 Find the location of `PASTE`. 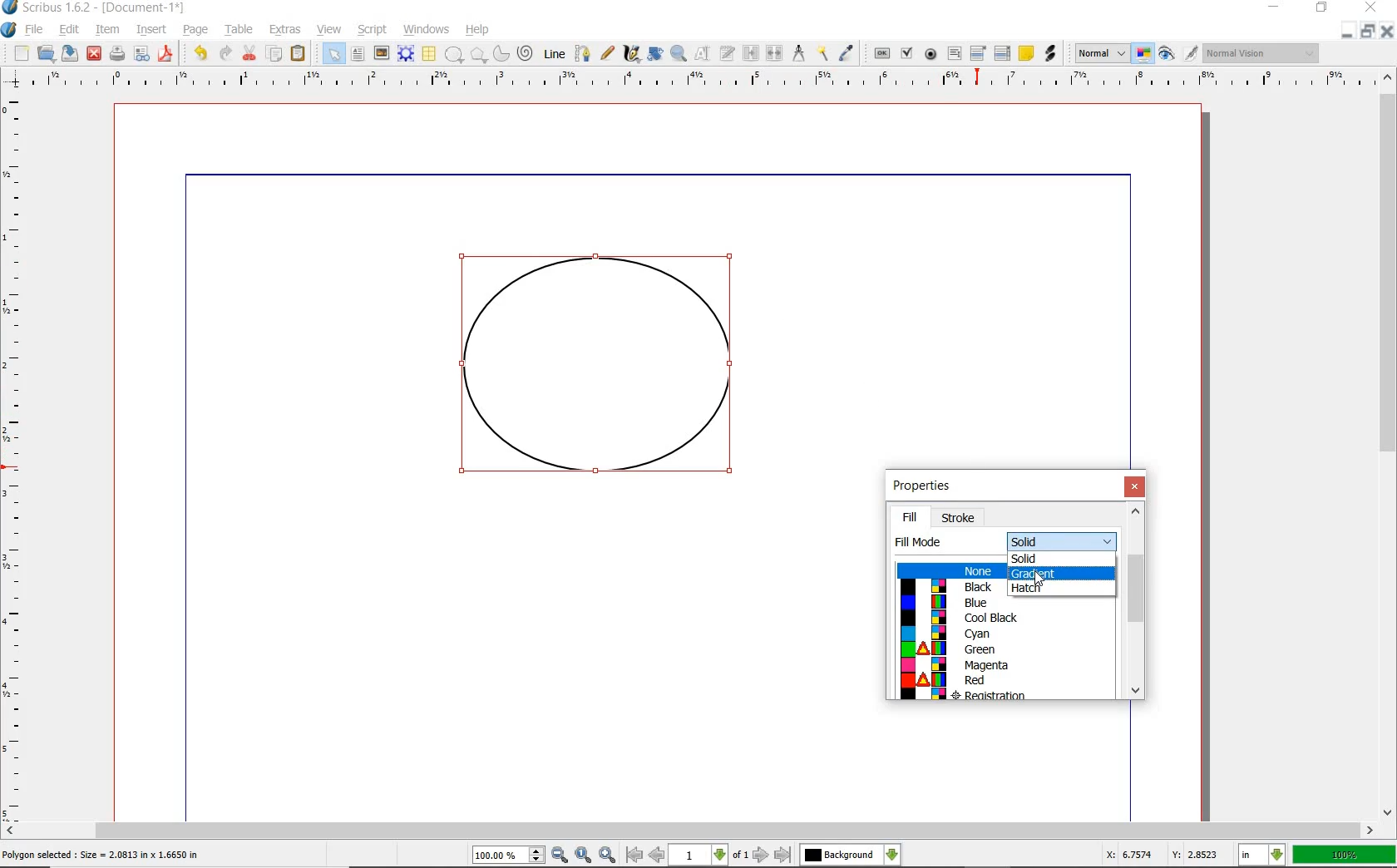

PASTE is located at coordinates (298, 55).